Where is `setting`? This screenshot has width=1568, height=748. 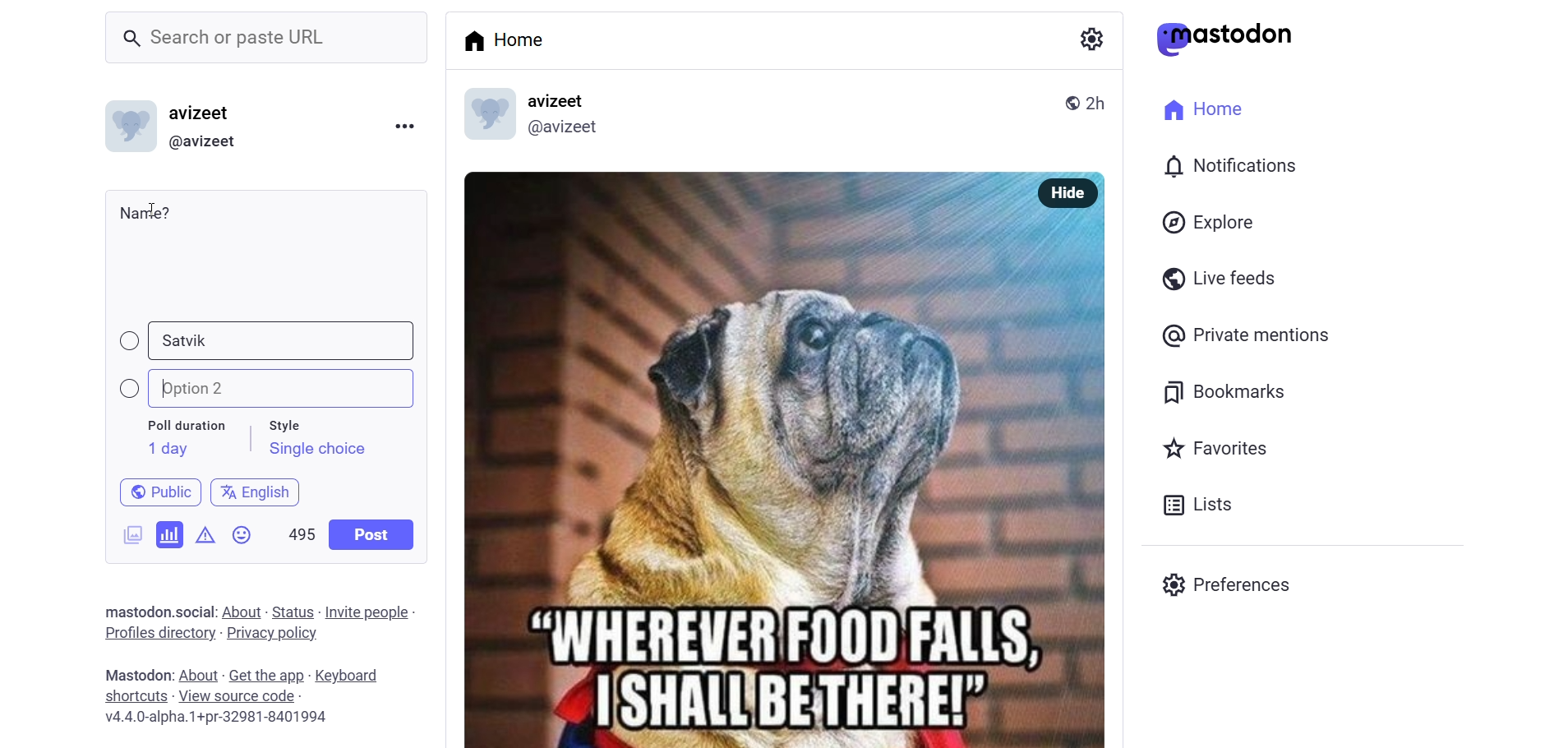
setting is located at coordinates (1089, 38).